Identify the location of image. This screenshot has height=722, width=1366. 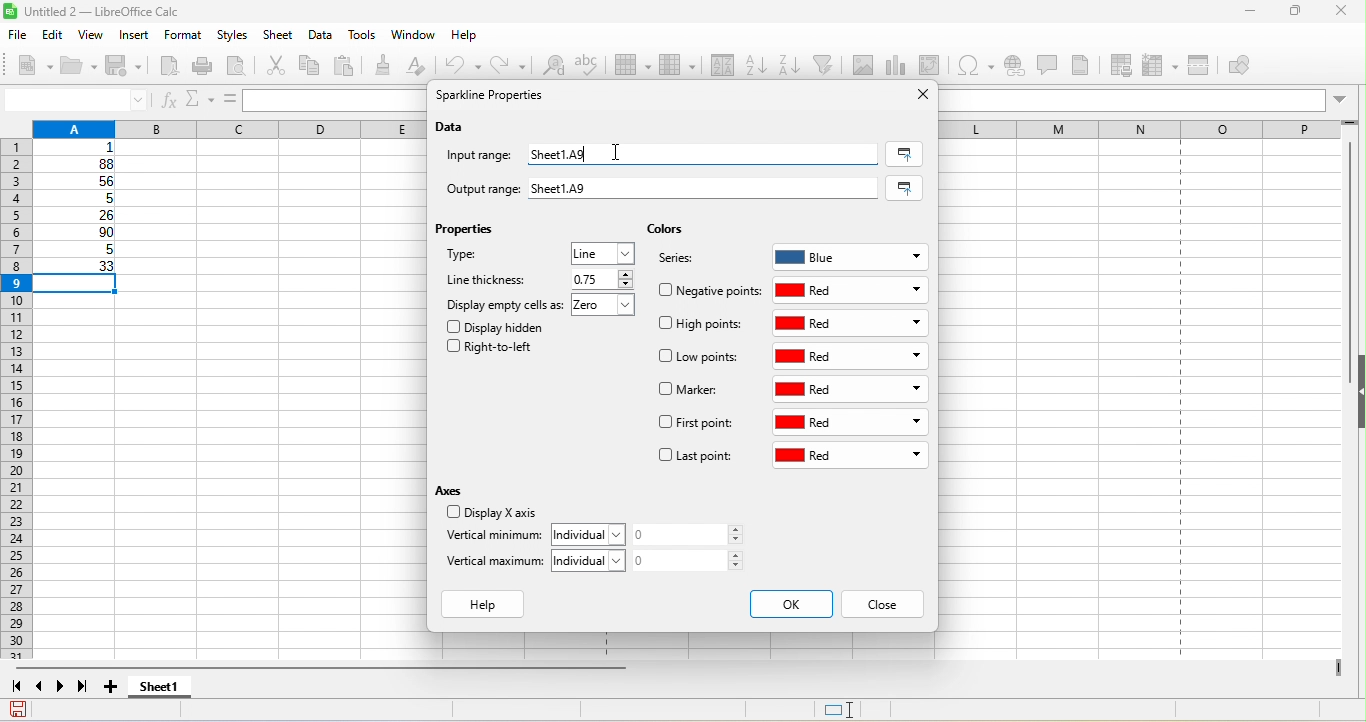
(865, 63).